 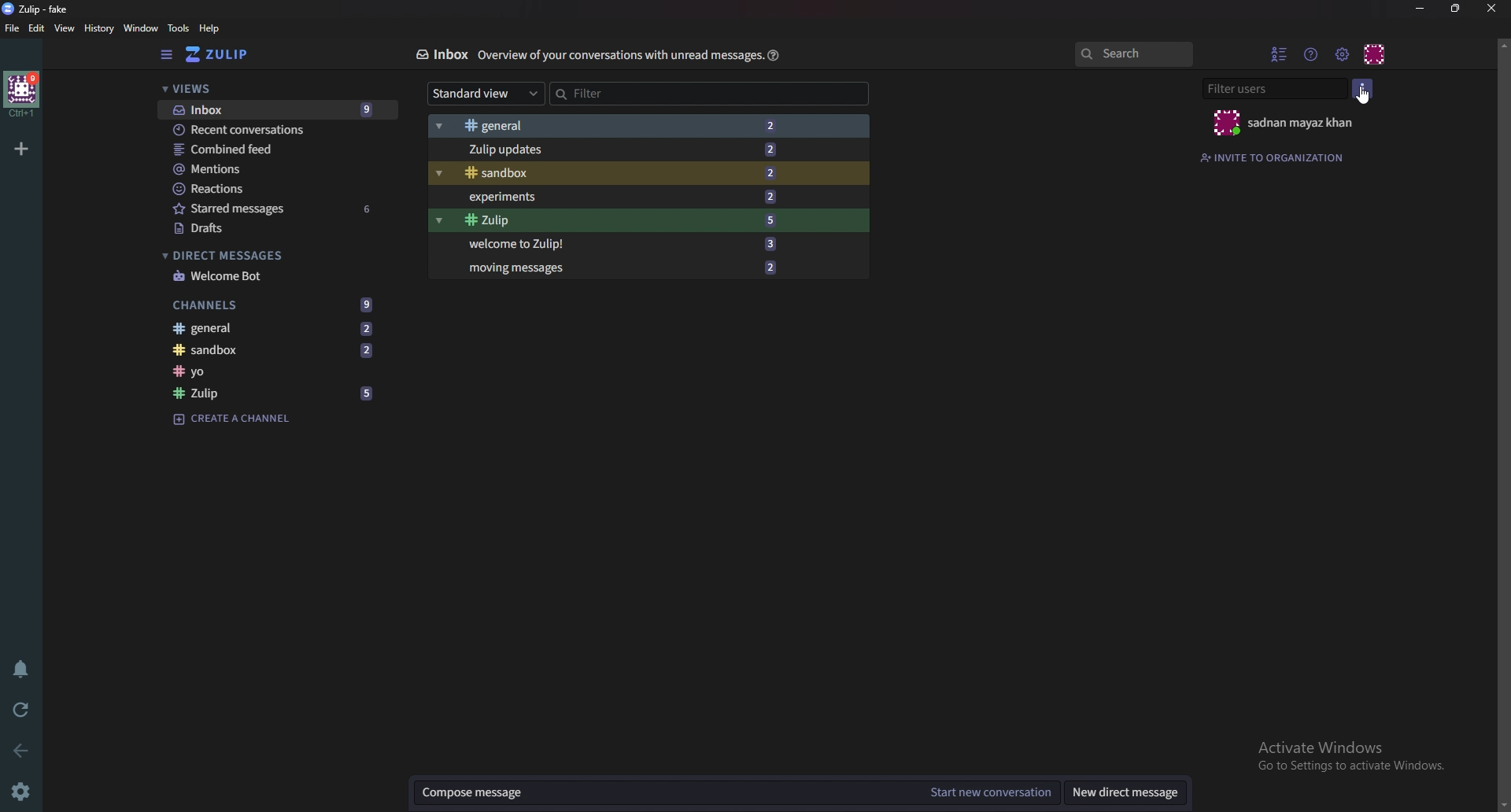 I want to click on User, so click(x=1288, y=124).